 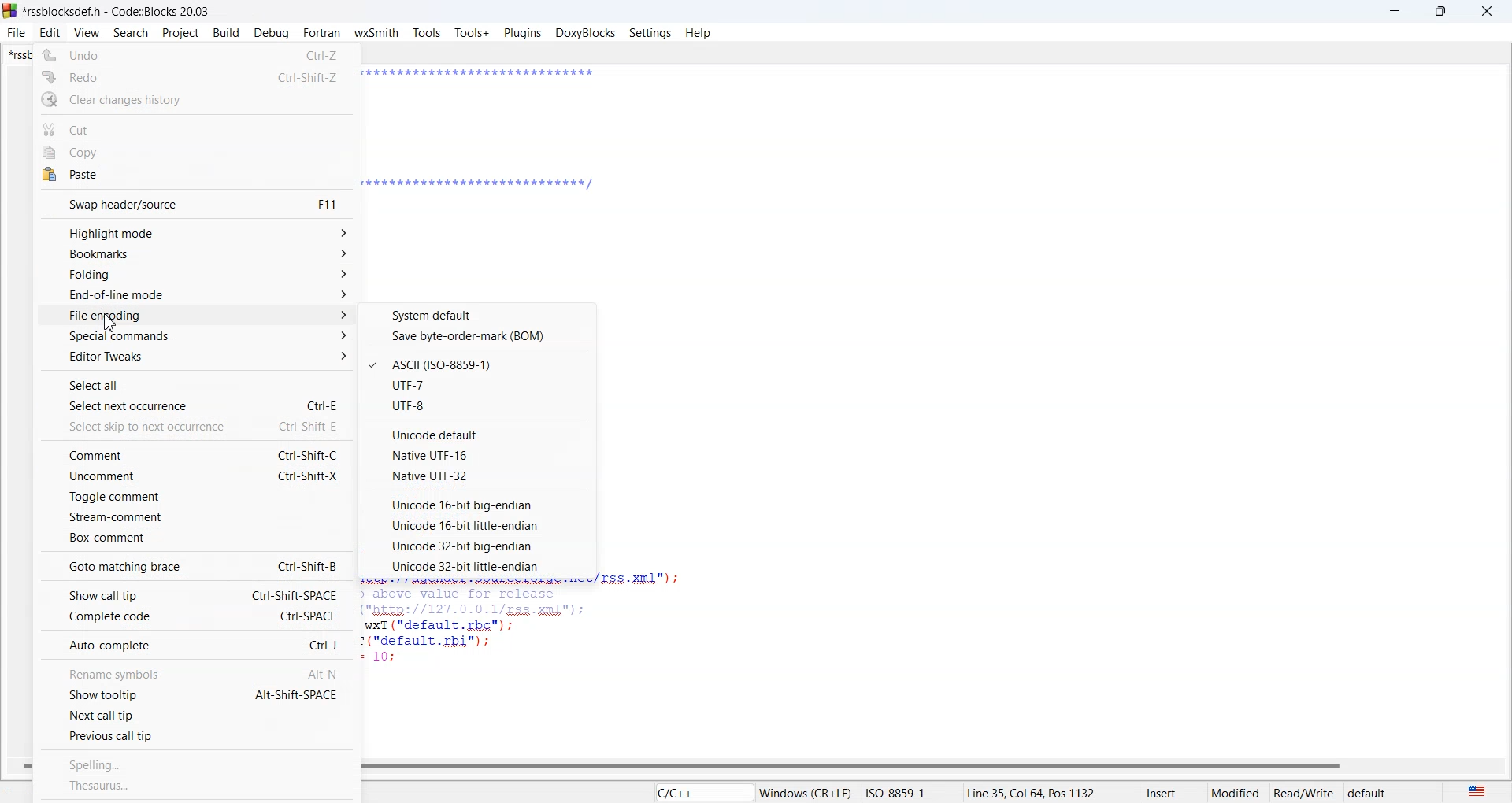 What do you see at coordinates (271, 33) in the screenshot?
I see `Debug` at bounding box center [271, 33].